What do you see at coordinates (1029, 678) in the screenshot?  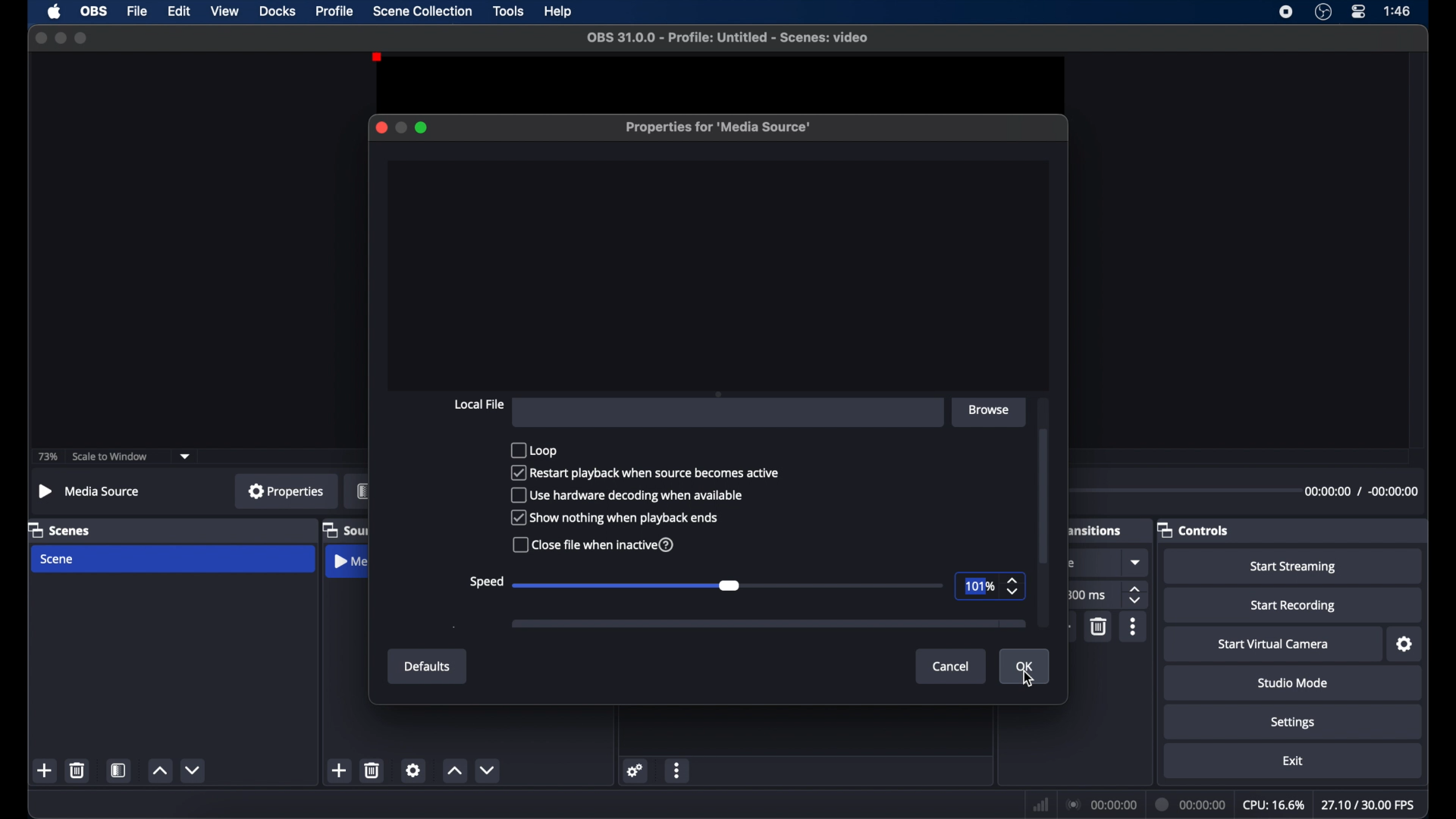 I see `cursor` at bounding box center [1029, 678].